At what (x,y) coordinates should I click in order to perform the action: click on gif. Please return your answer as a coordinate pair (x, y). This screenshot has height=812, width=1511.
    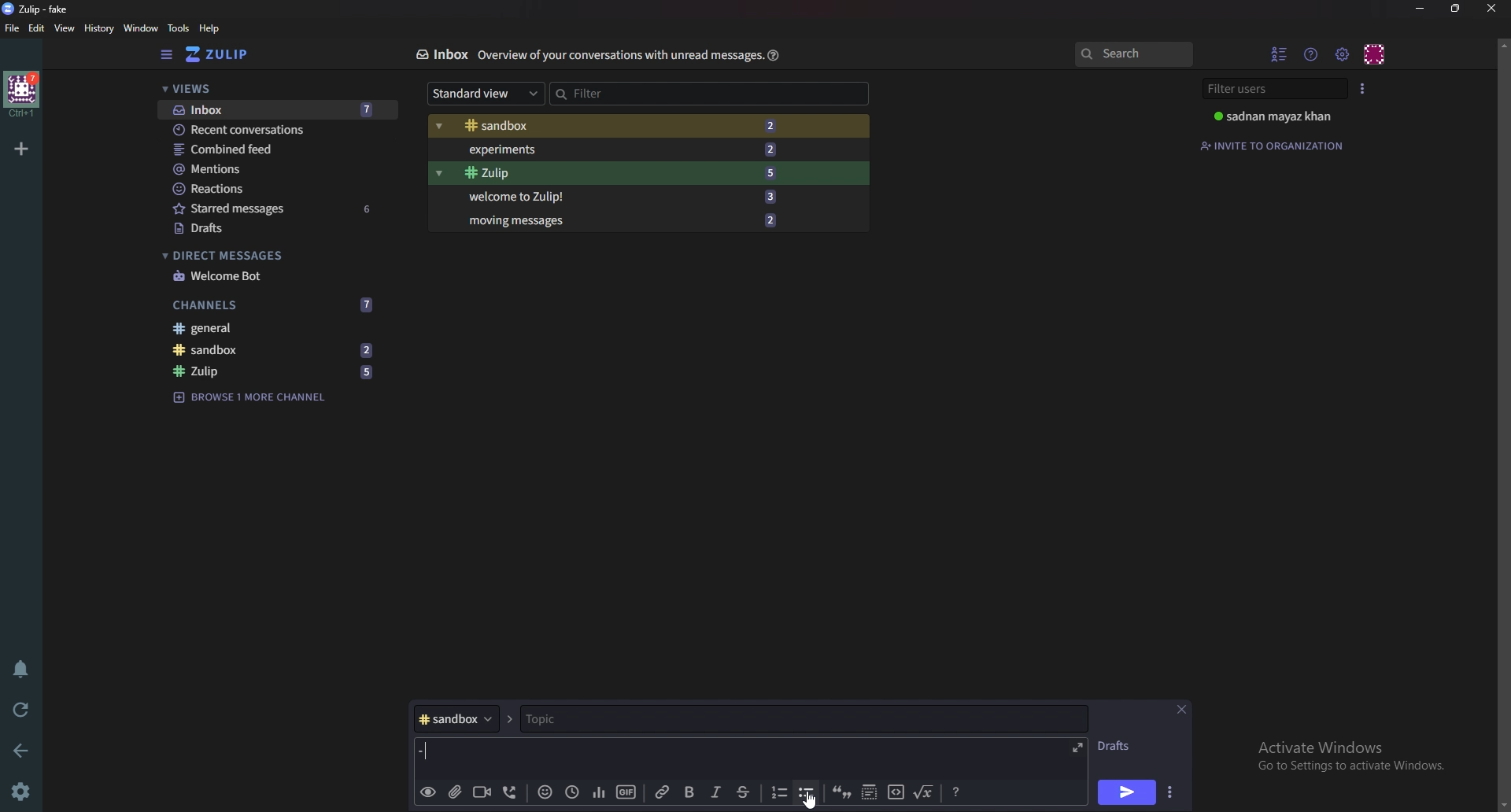
    Looking at the image, I should click on (626, 792).